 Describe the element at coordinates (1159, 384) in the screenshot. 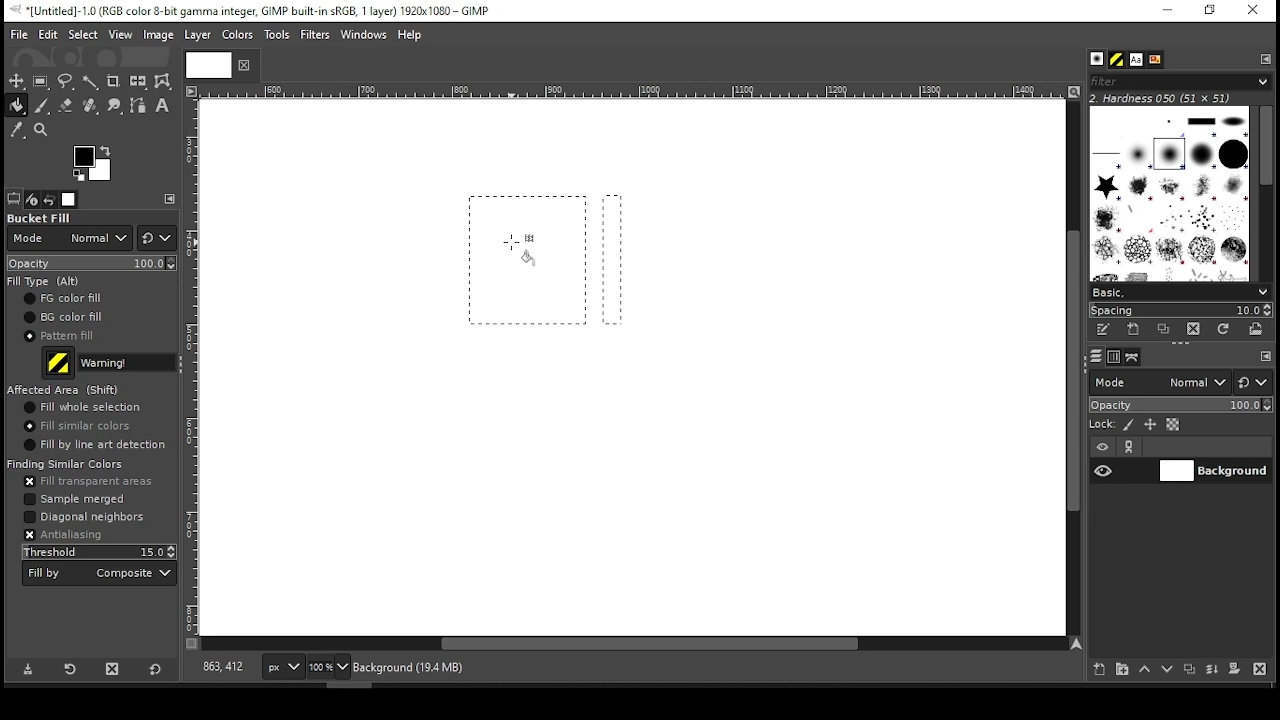

I see `mode` at that location.